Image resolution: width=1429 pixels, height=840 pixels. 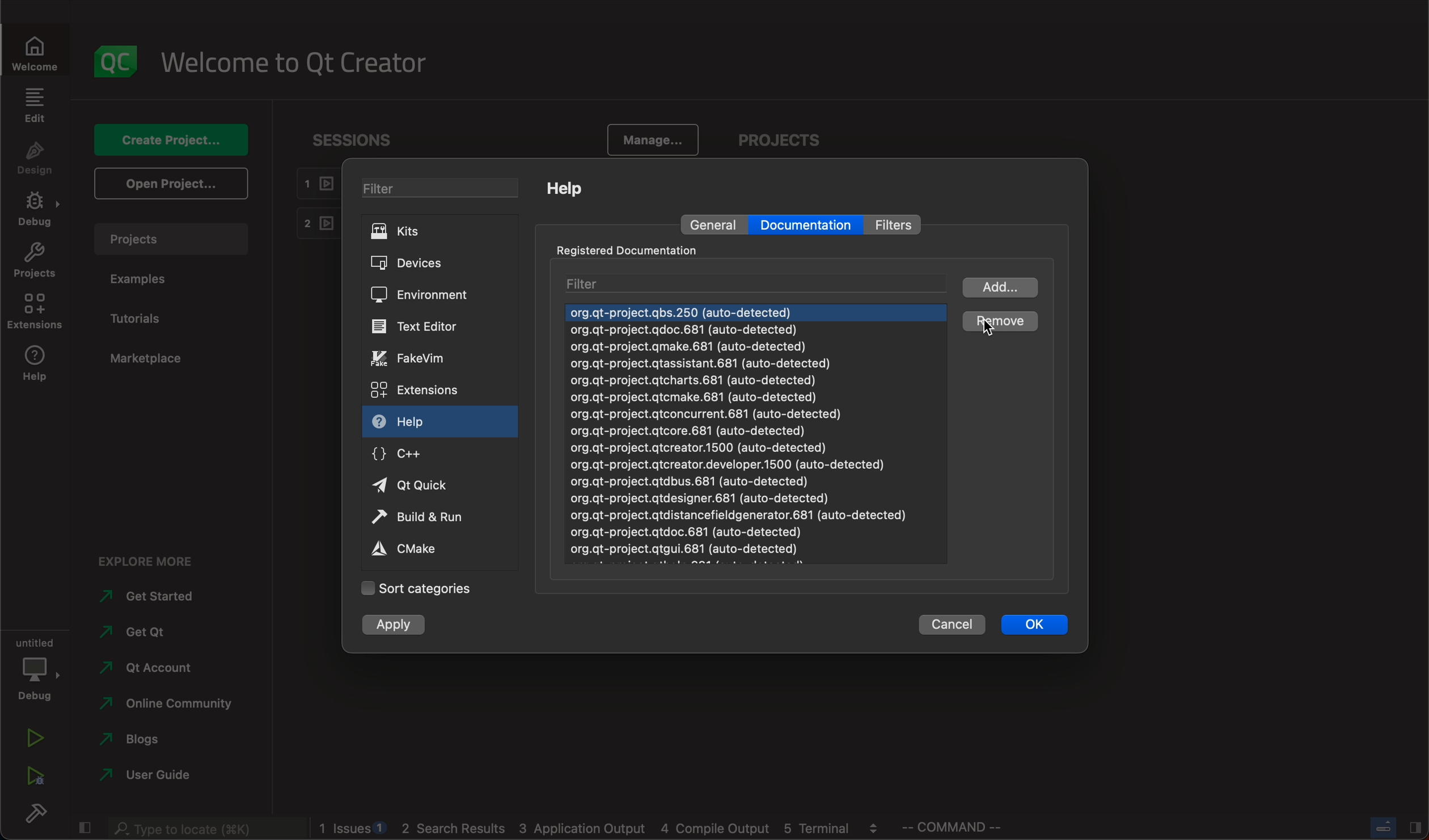 I want to click on run, so click(x=35, y=737).